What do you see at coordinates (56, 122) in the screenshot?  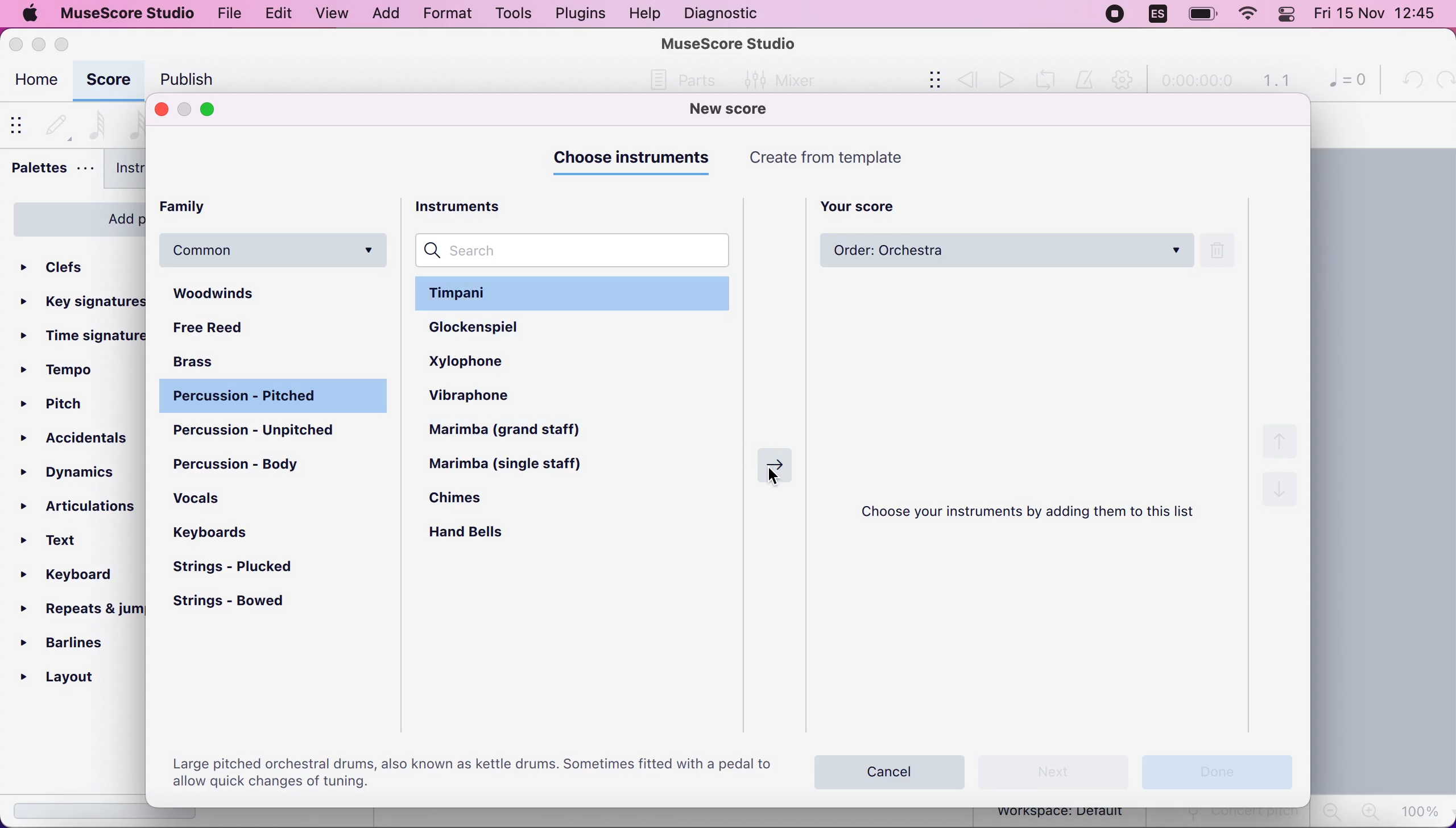 I see `default` at bounding box center [56, 122].